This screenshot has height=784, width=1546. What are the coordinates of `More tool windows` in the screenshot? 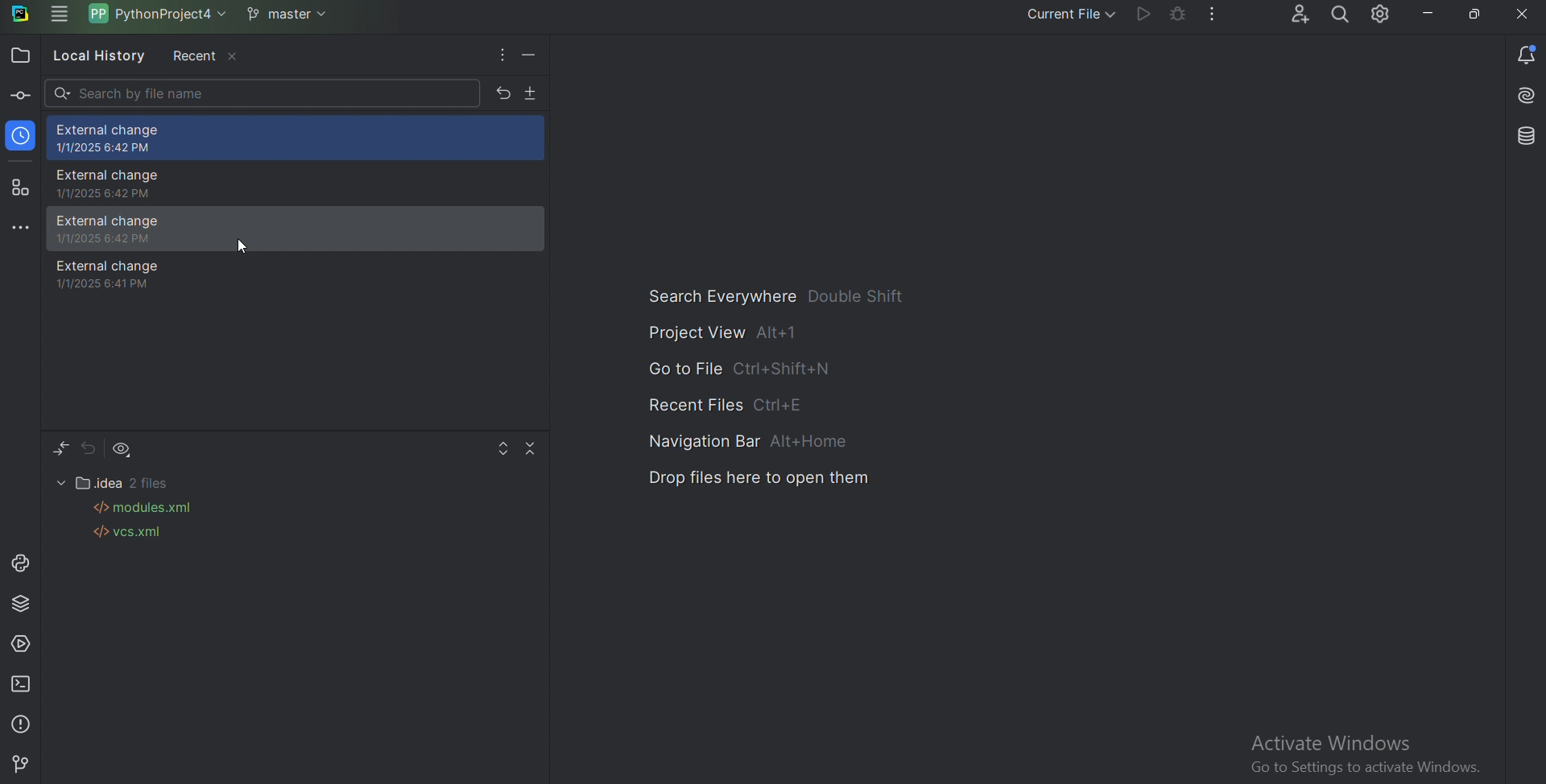 It's located at (21, 229).